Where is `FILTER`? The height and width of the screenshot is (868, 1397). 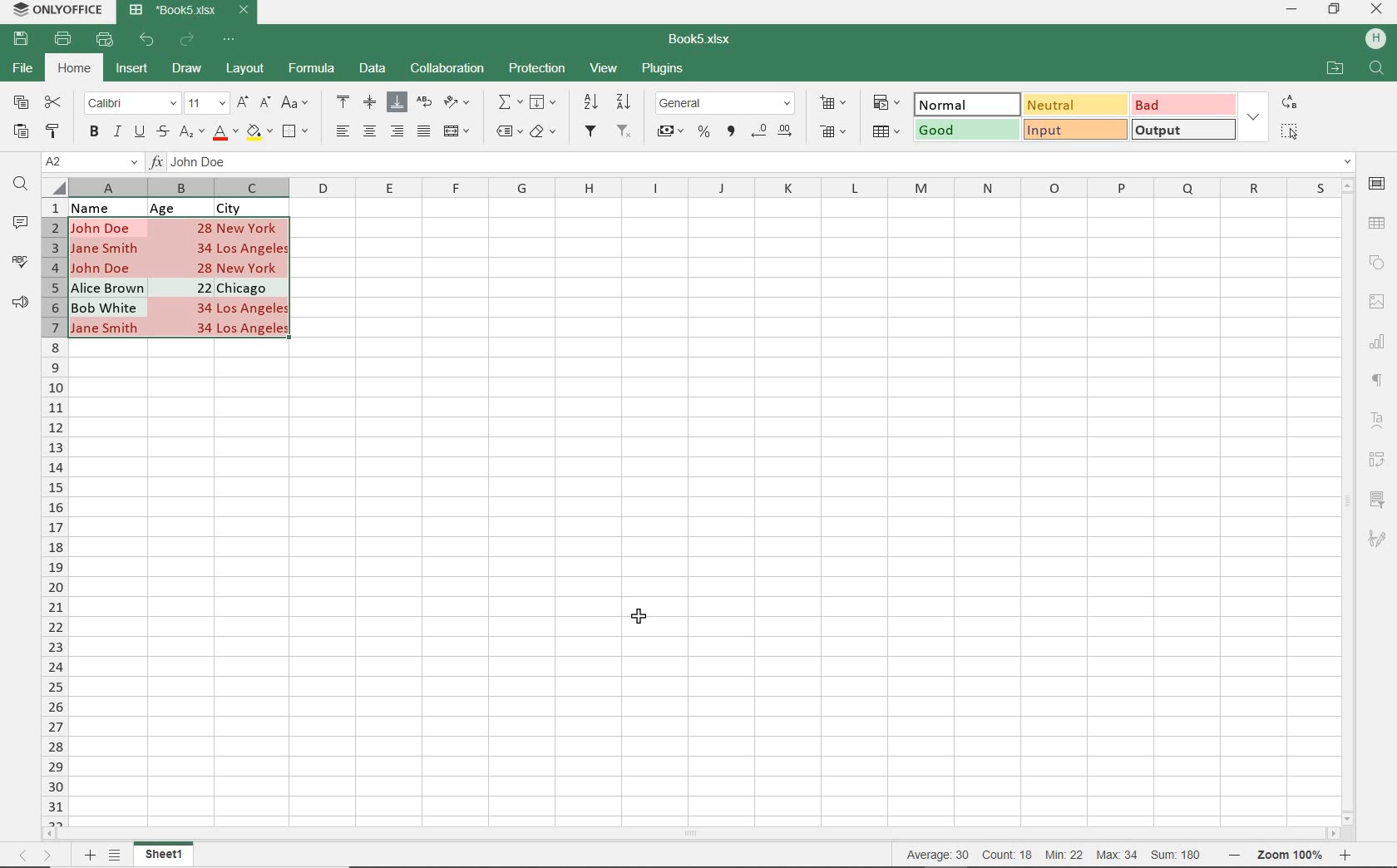
FILTER is located at coordinates (592, 131).